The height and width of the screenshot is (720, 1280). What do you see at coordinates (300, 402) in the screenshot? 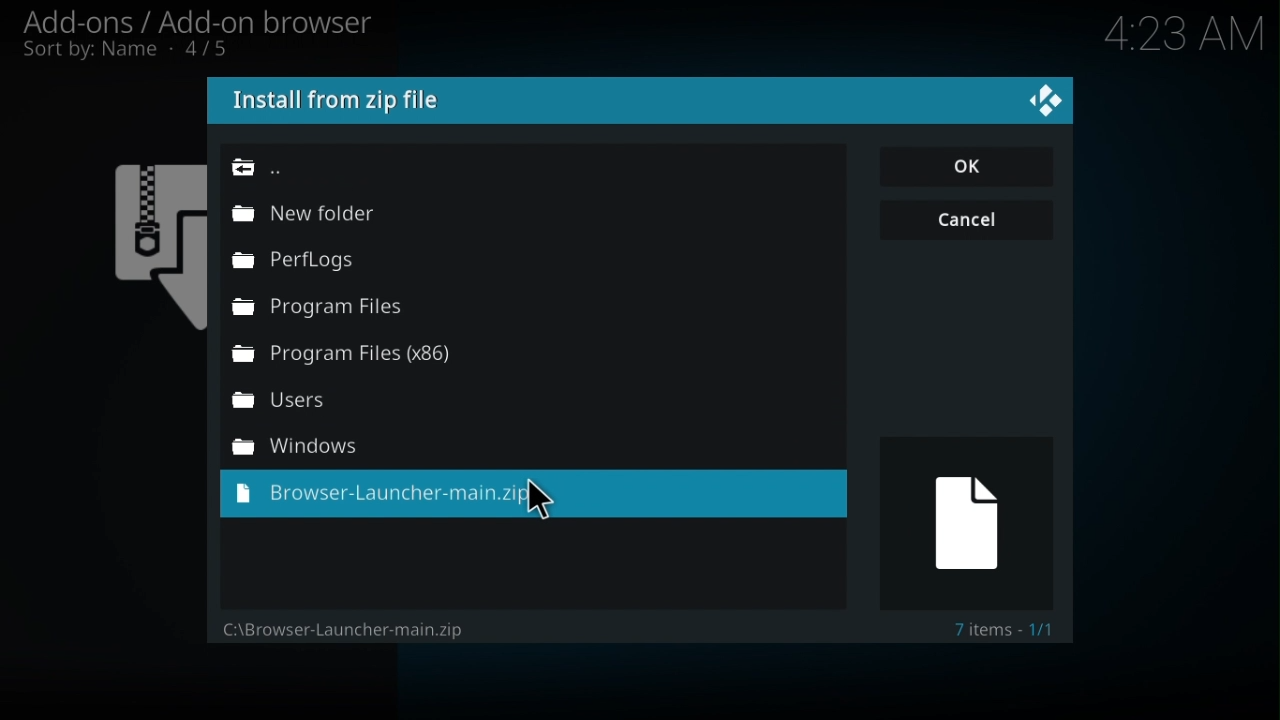
I see `Users` at bounding box center [300, 402].